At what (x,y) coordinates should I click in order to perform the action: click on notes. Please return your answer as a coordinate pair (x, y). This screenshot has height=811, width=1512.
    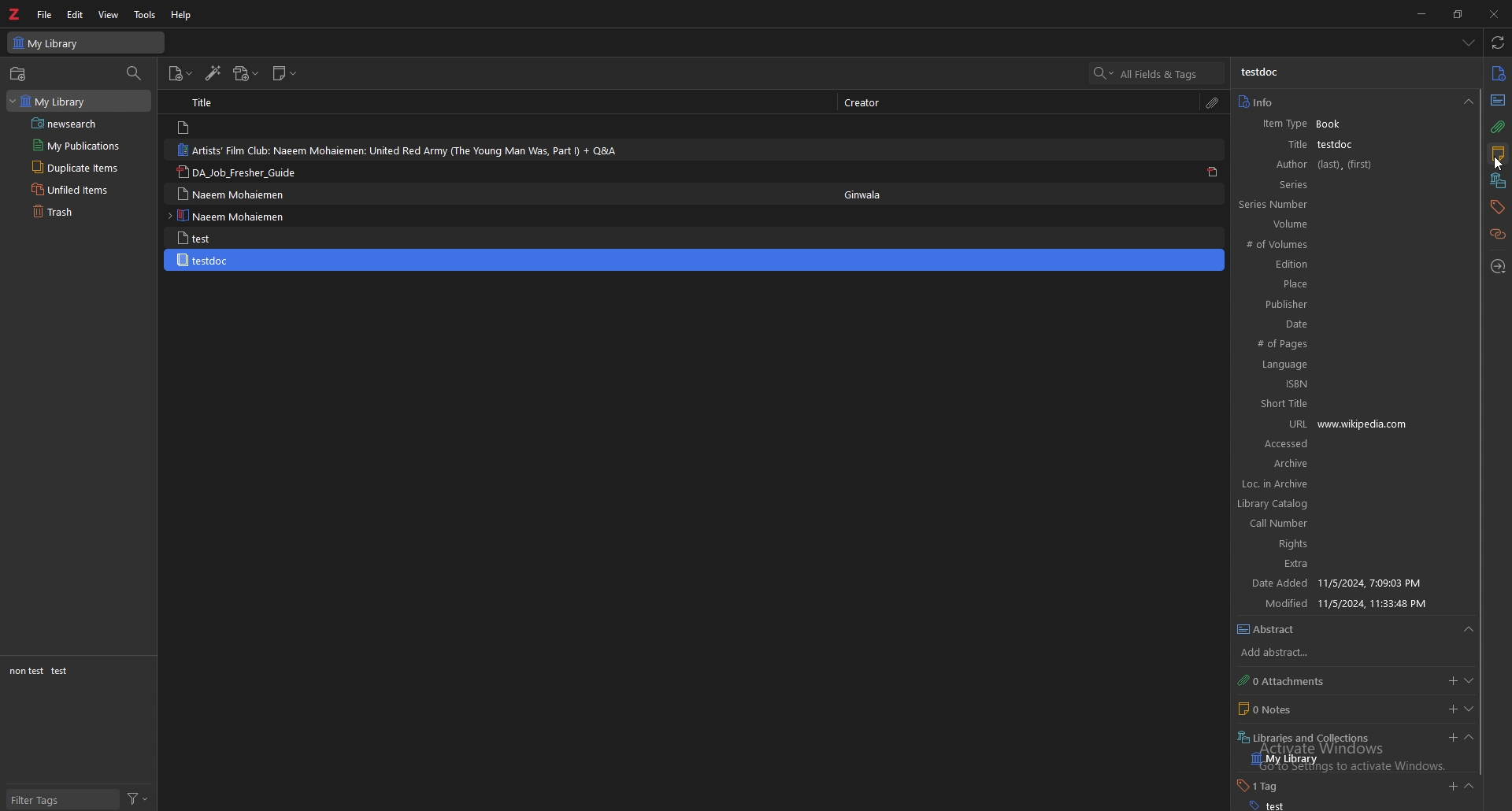
    Looking at the image, I should click on (1498, 154).